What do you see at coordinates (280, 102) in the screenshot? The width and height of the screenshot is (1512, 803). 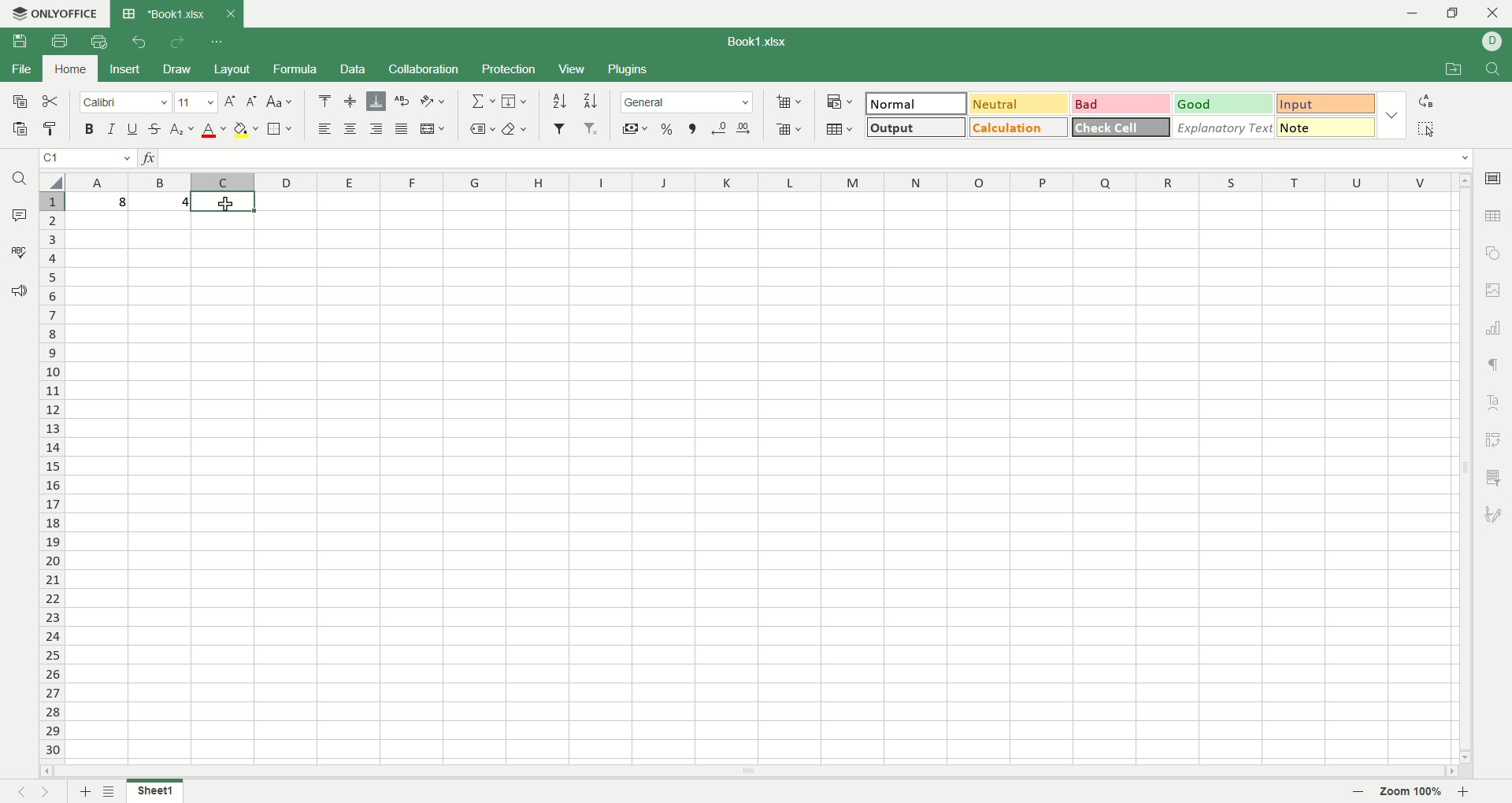 I see `change case` at bounding box center [280, 102].